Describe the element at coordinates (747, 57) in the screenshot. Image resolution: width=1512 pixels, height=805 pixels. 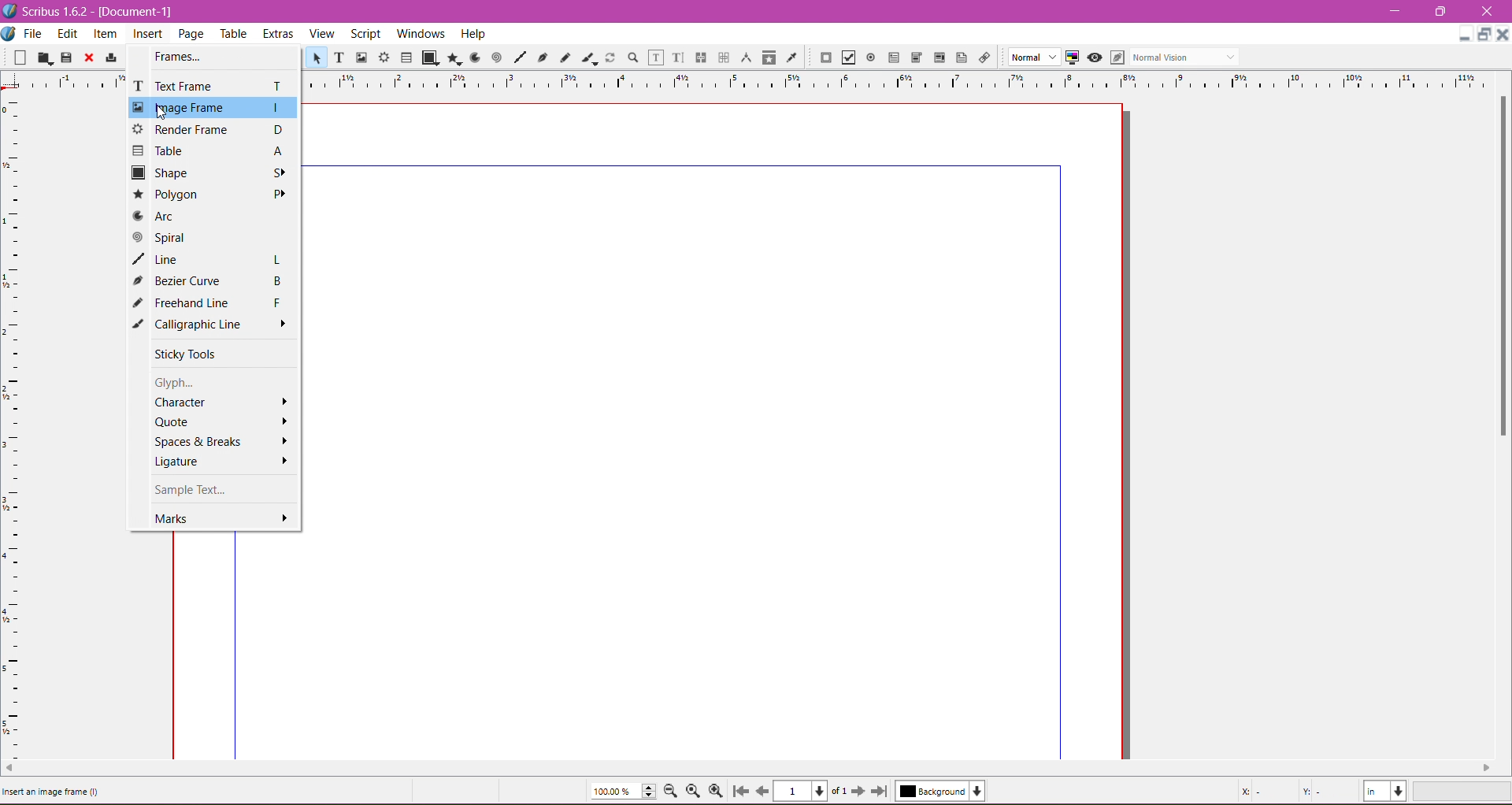
I see `Measurements` at that location.